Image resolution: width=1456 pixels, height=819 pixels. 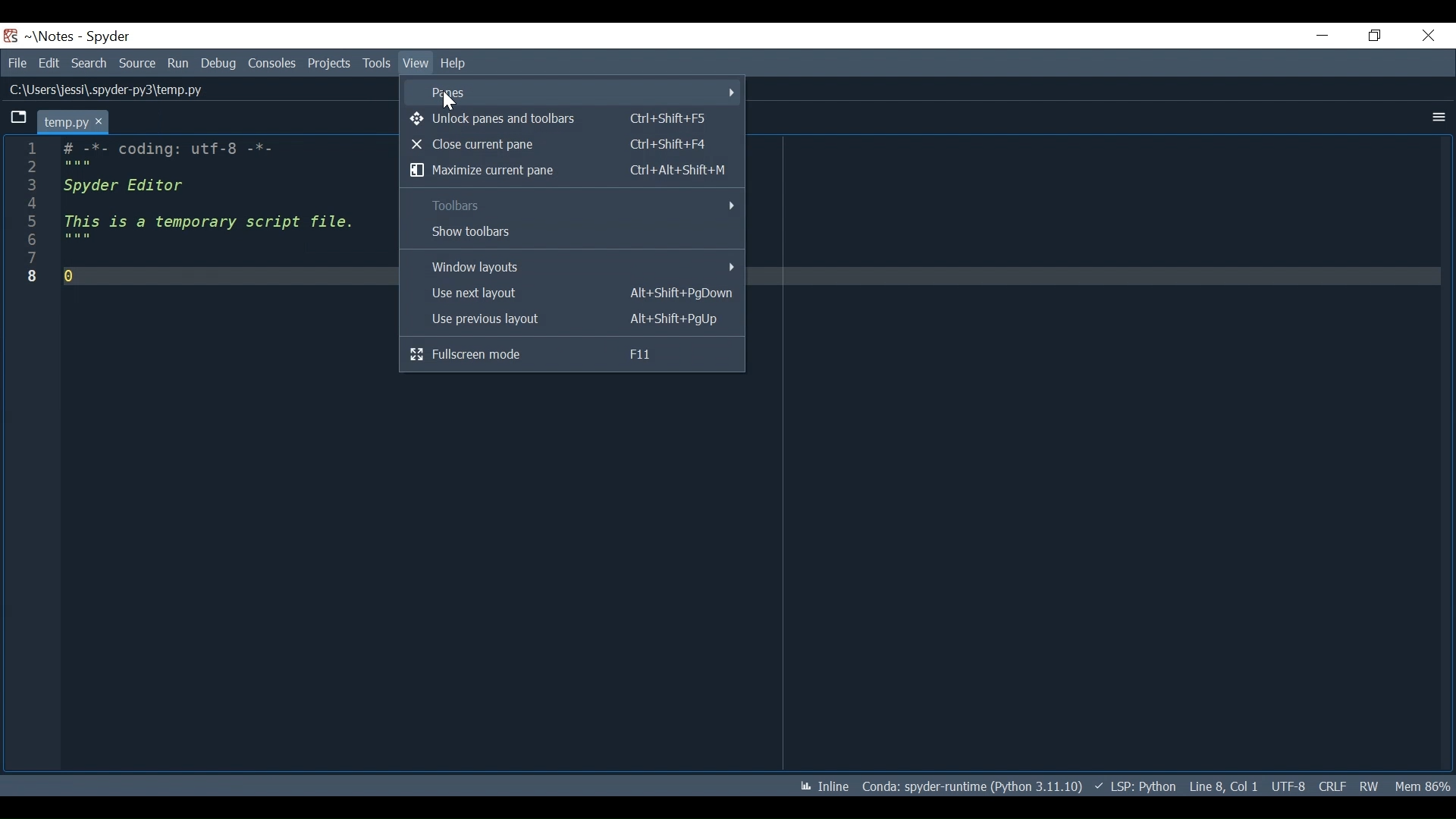 What do you see at coordinates (570, 292) in the screenshot?
I see `Use next layout` at bounding box center [570, 292].